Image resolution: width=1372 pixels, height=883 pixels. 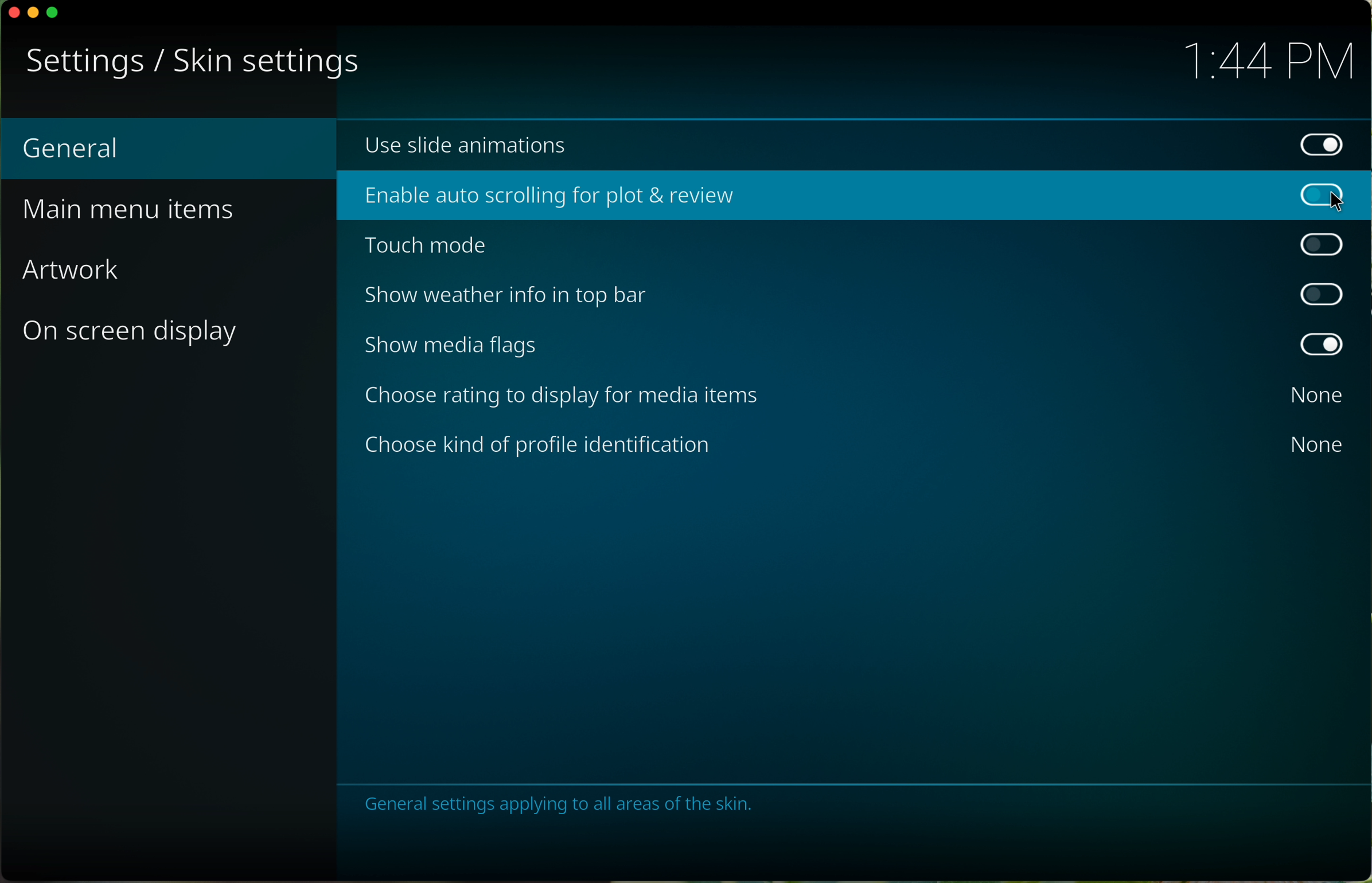 I want to click on enable use slide animations, so click(x=853, y=145).